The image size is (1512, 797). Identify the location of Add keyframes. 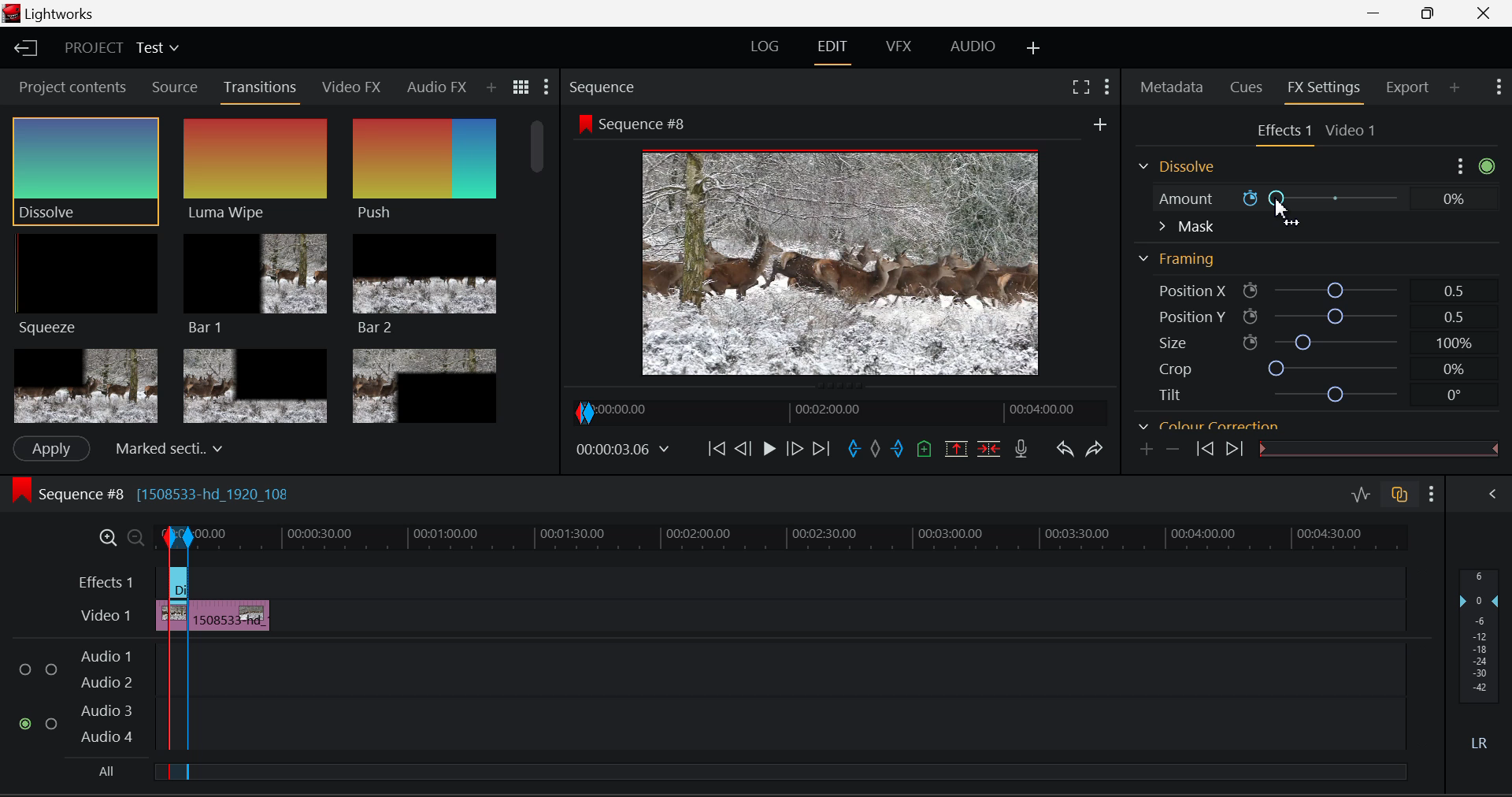
(1147, 450).